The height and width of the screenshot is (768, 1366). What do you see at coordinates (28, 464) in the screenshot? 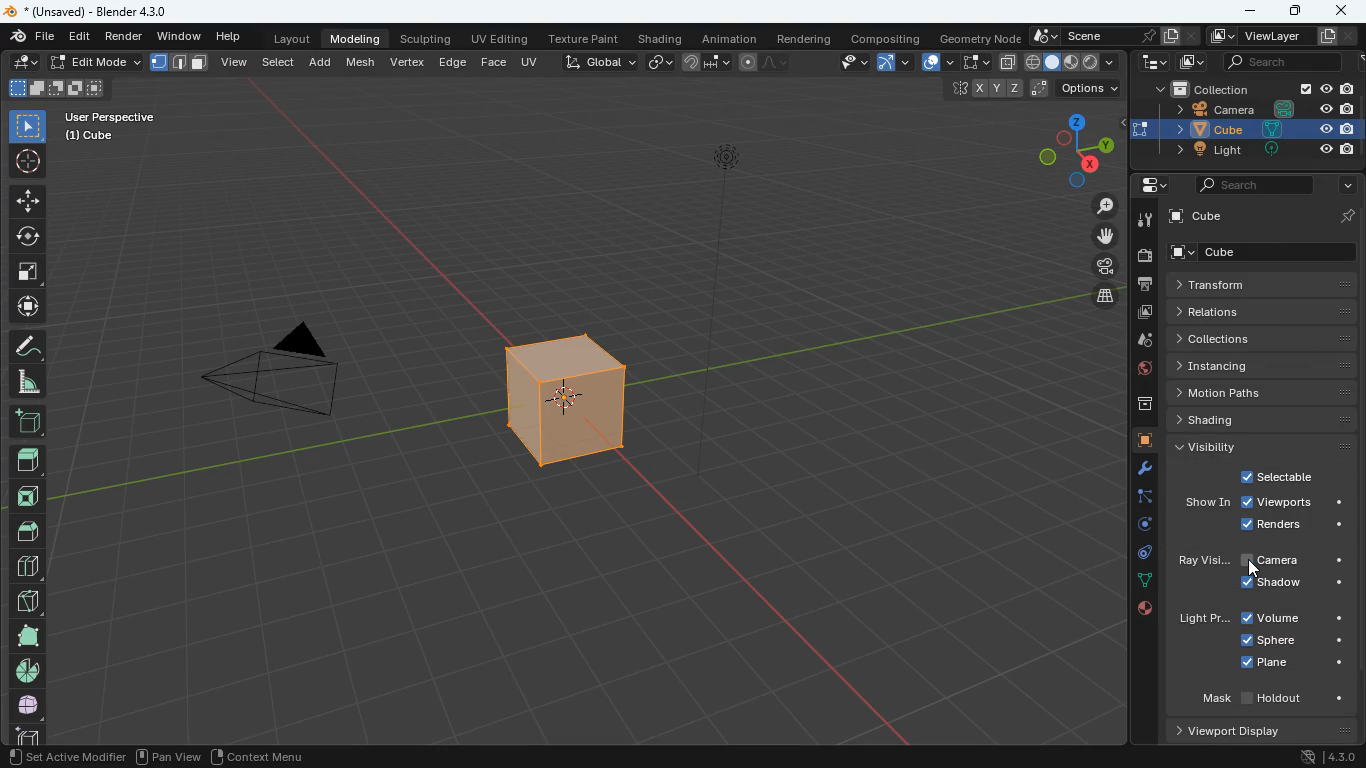
I see `fiilled` at bounding box center [28, 464].